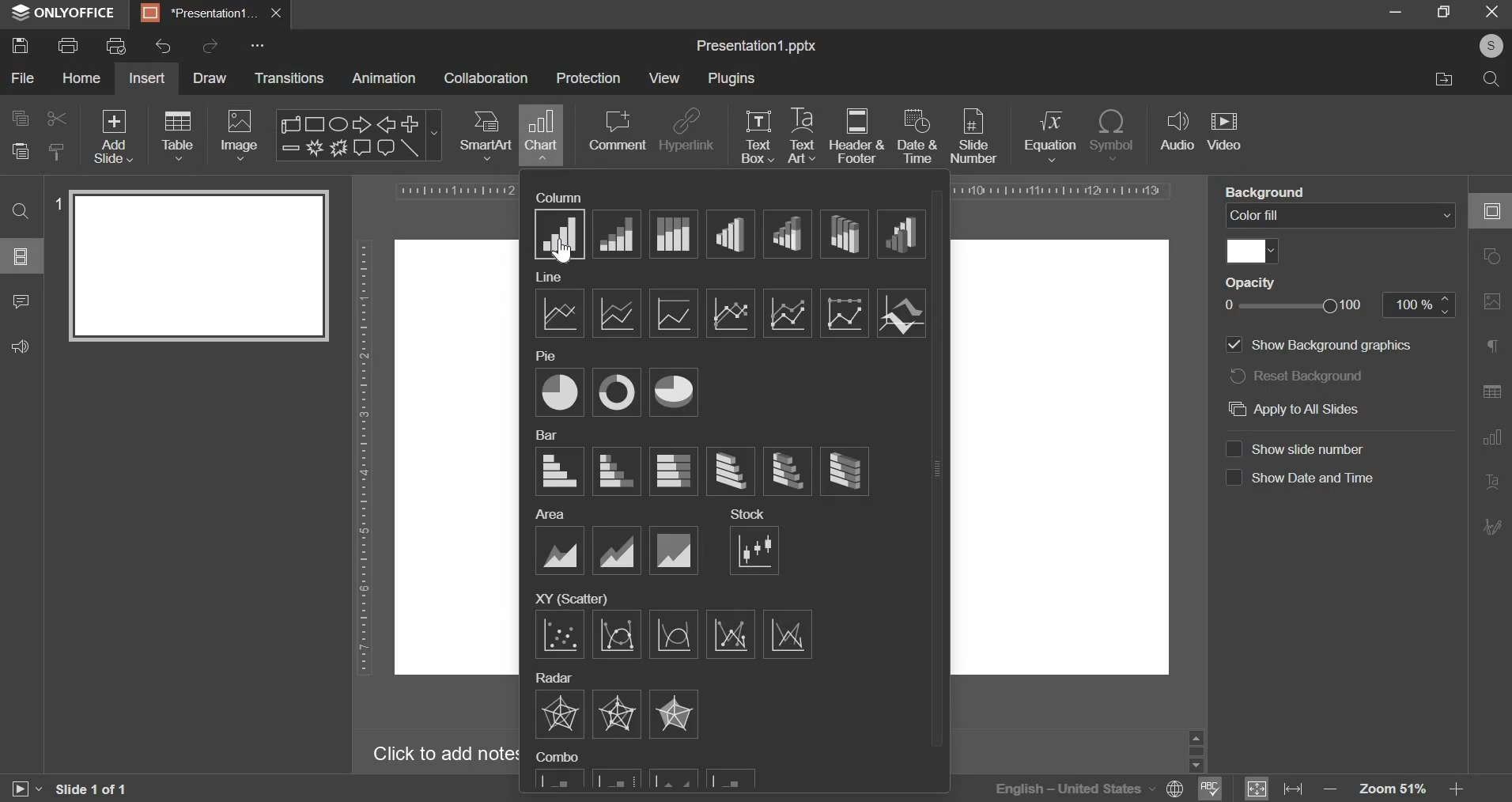 The height and width of the screenshot is (802, 1512). Describe the element at coordinates (1295, 375) in the screenshot. I see `reset background` at that location.